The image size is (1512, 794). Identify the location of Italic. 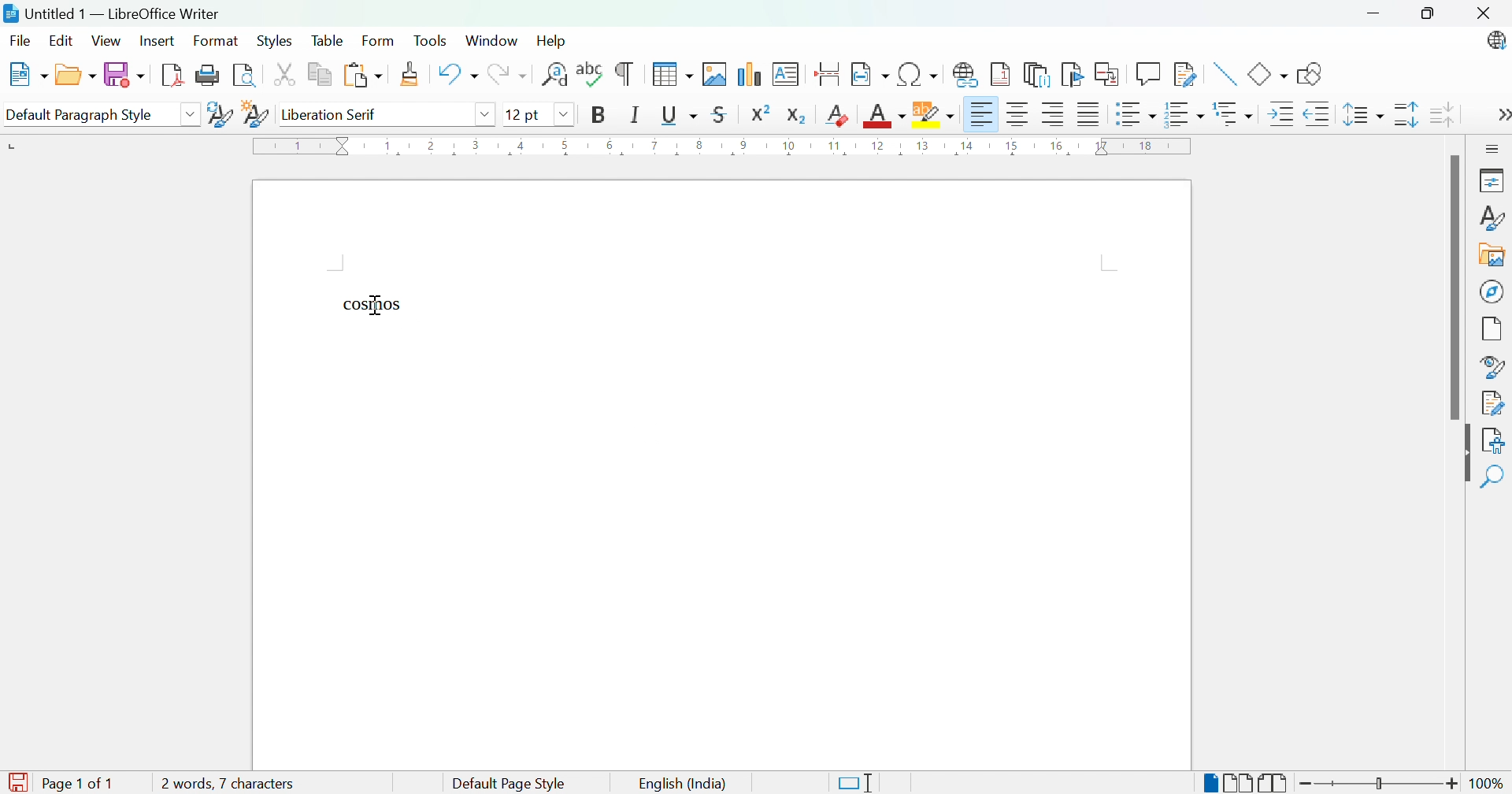
(636, 114).